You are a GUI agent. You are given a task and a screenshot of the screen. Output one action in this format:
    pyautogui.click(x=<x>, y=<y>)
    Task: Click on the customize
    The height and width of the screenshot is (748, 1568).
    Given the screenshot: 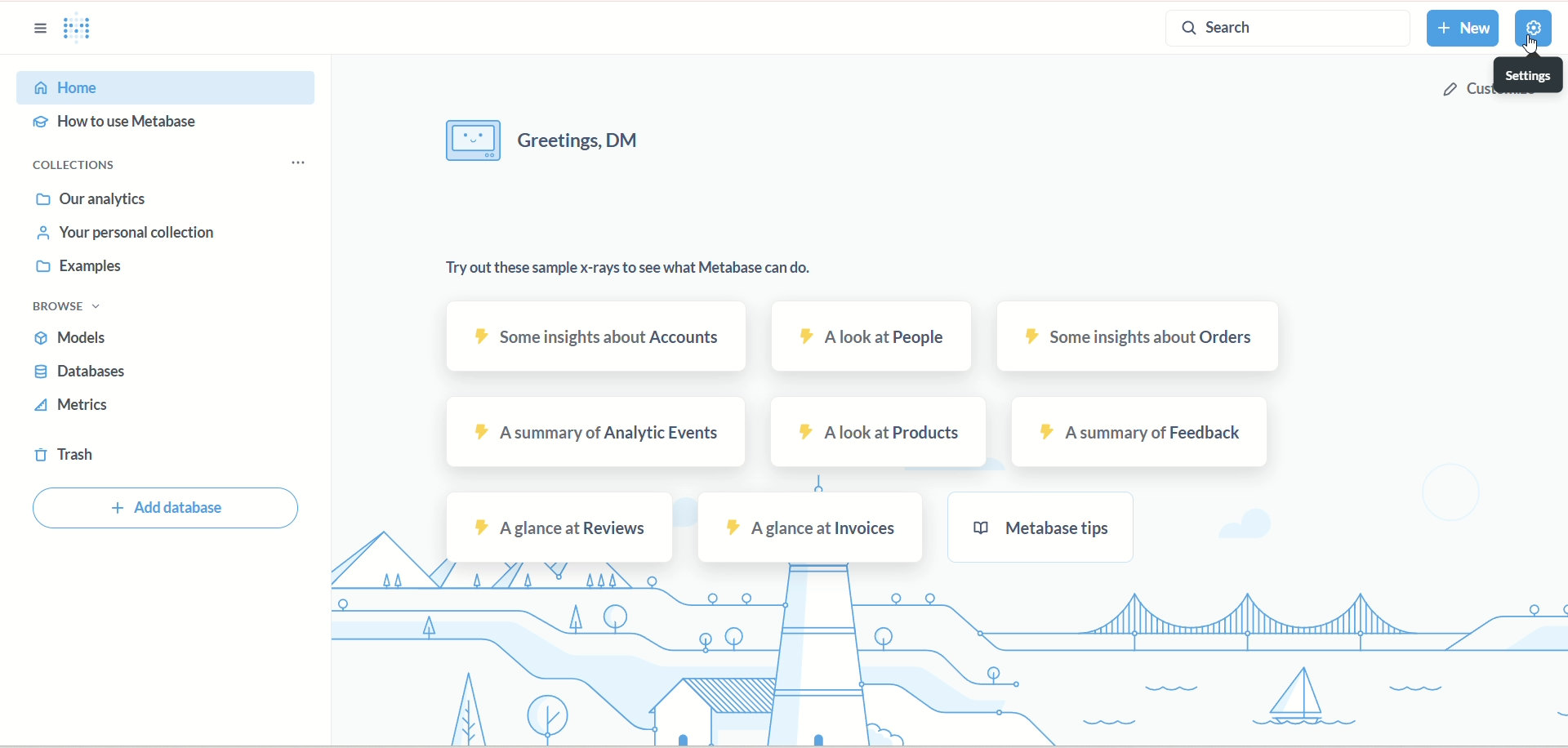 What is the action you would take?
    pyautogui.click(x=1468, y=89)
    